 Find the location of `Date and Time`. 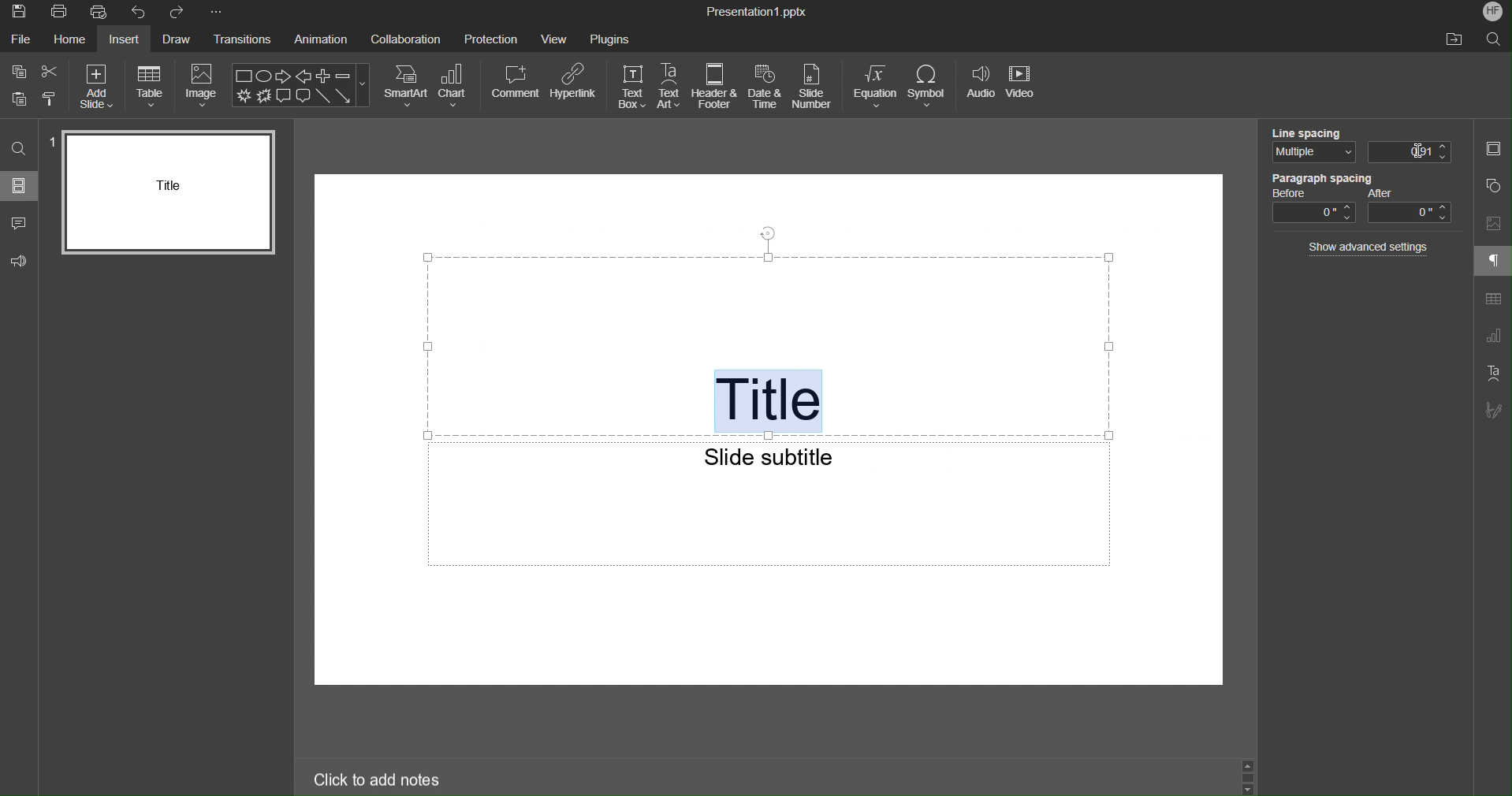

Date and Time is located at coordinates (766, 87).